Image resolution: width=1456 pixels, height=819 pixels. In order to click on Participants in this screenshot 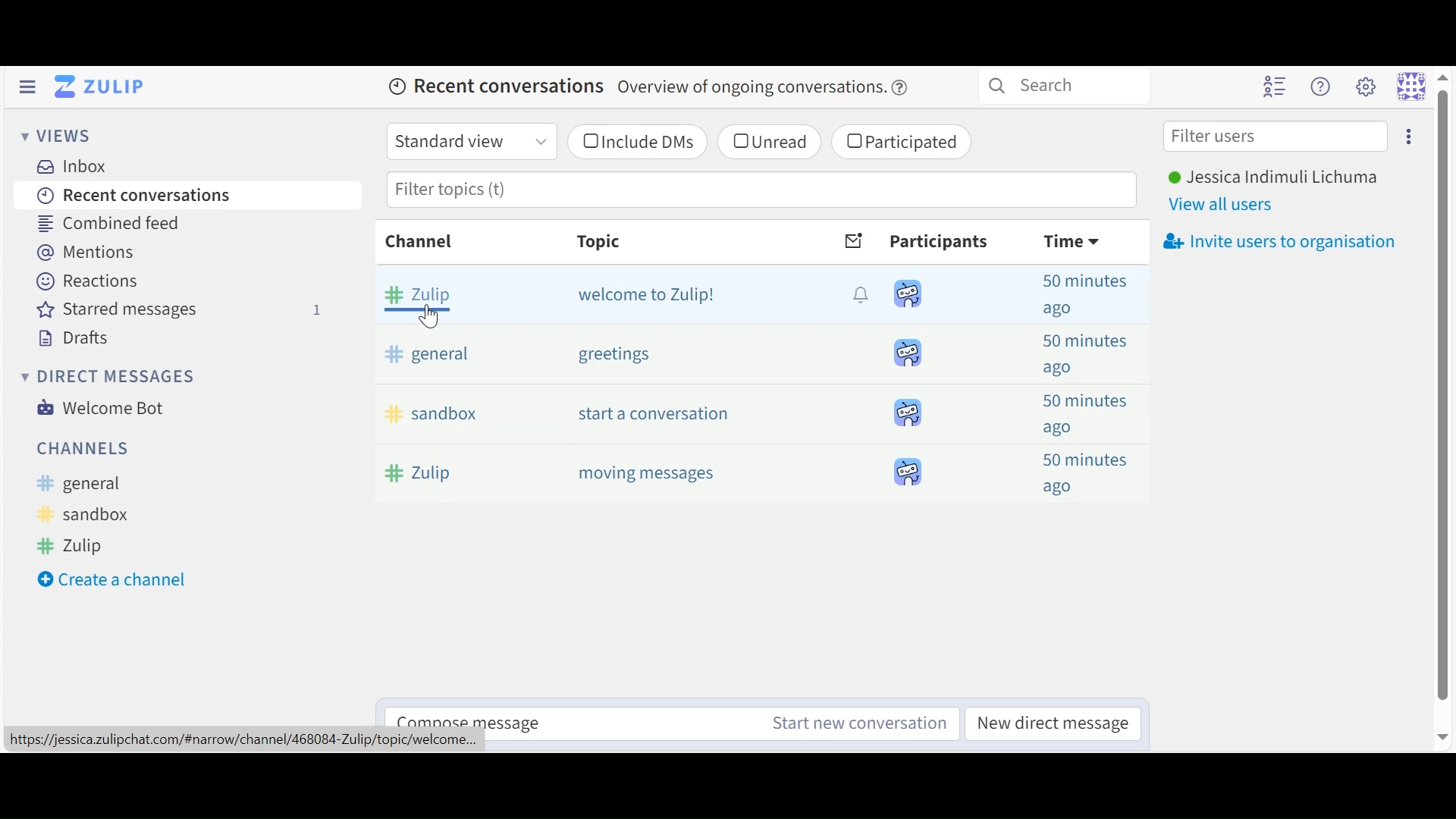, I will do `click(924, 242)`.